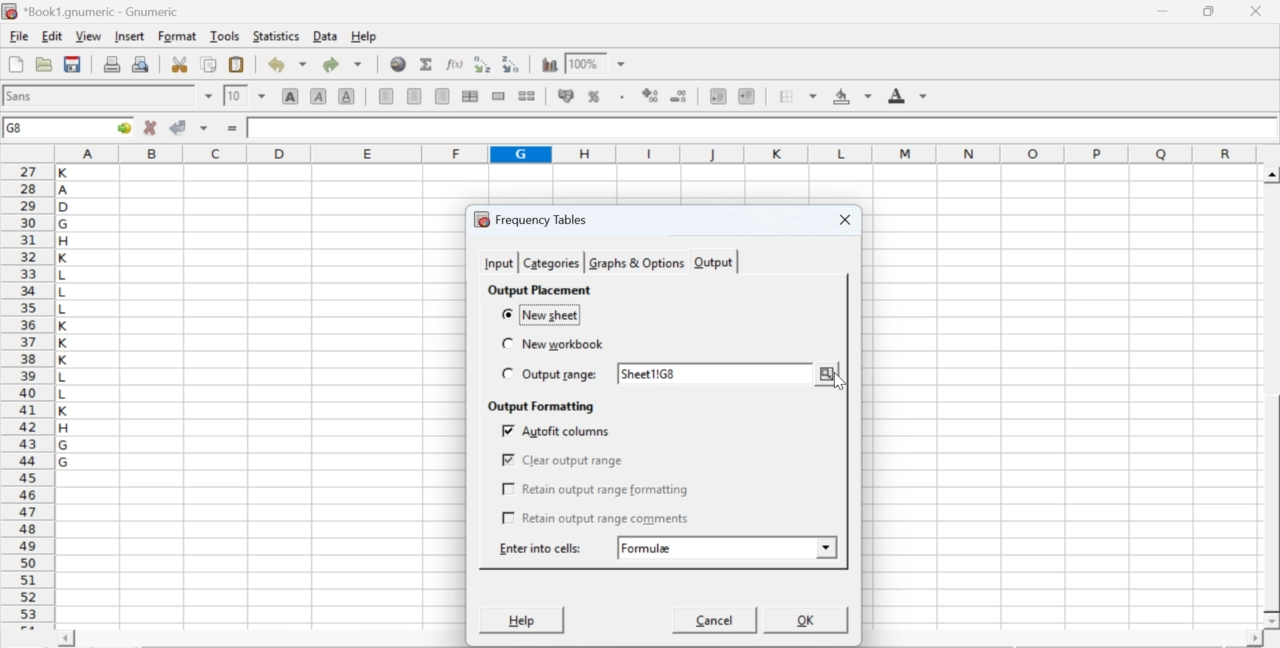 The height and width of the screenshot is (648, 1280). What do you see at coordinates (551, 375) in the screenshot?
I see `output range:` at bounding box center [551, 375].